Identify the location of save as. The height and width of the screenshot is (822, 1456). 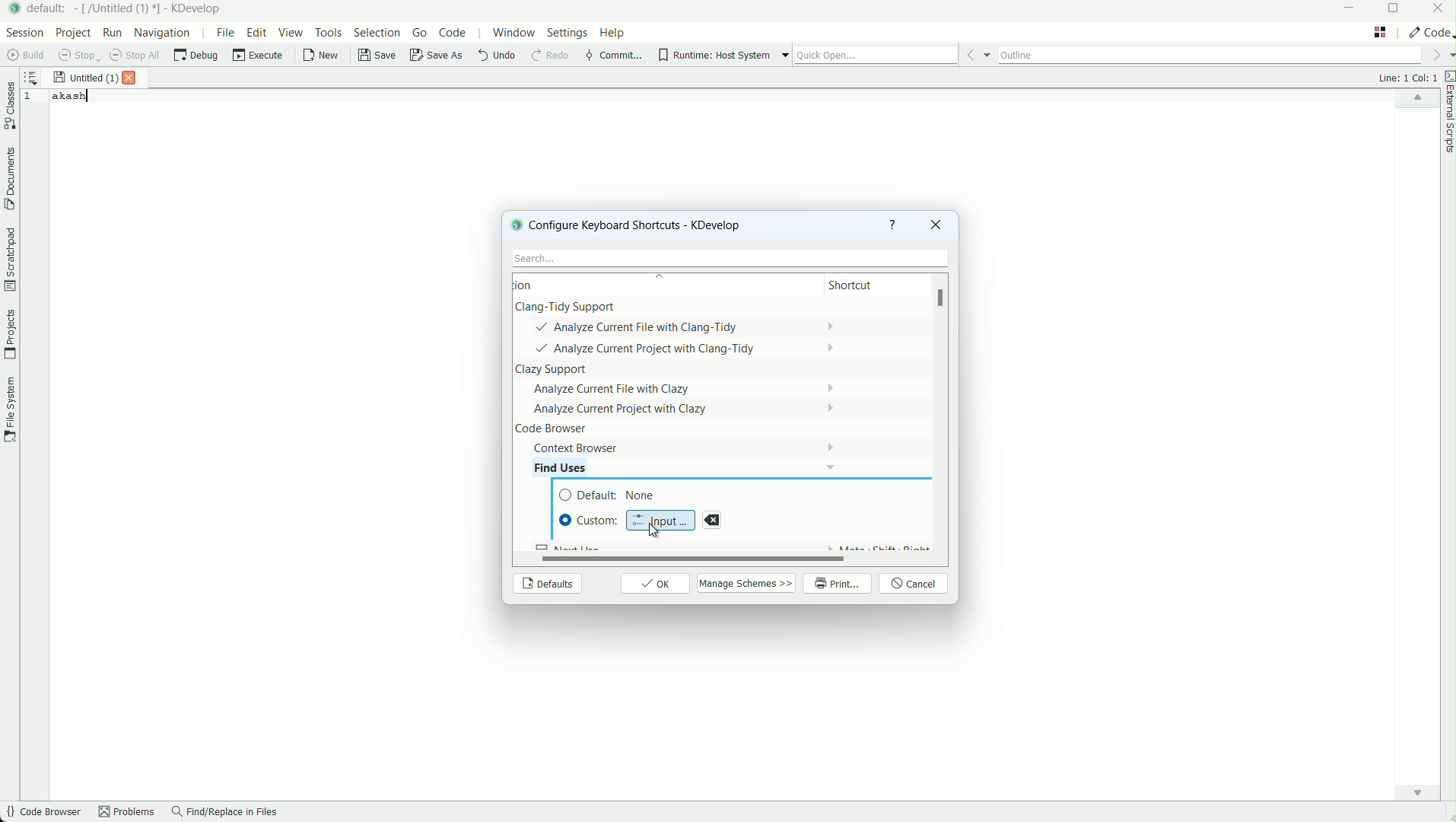
(437, 56).